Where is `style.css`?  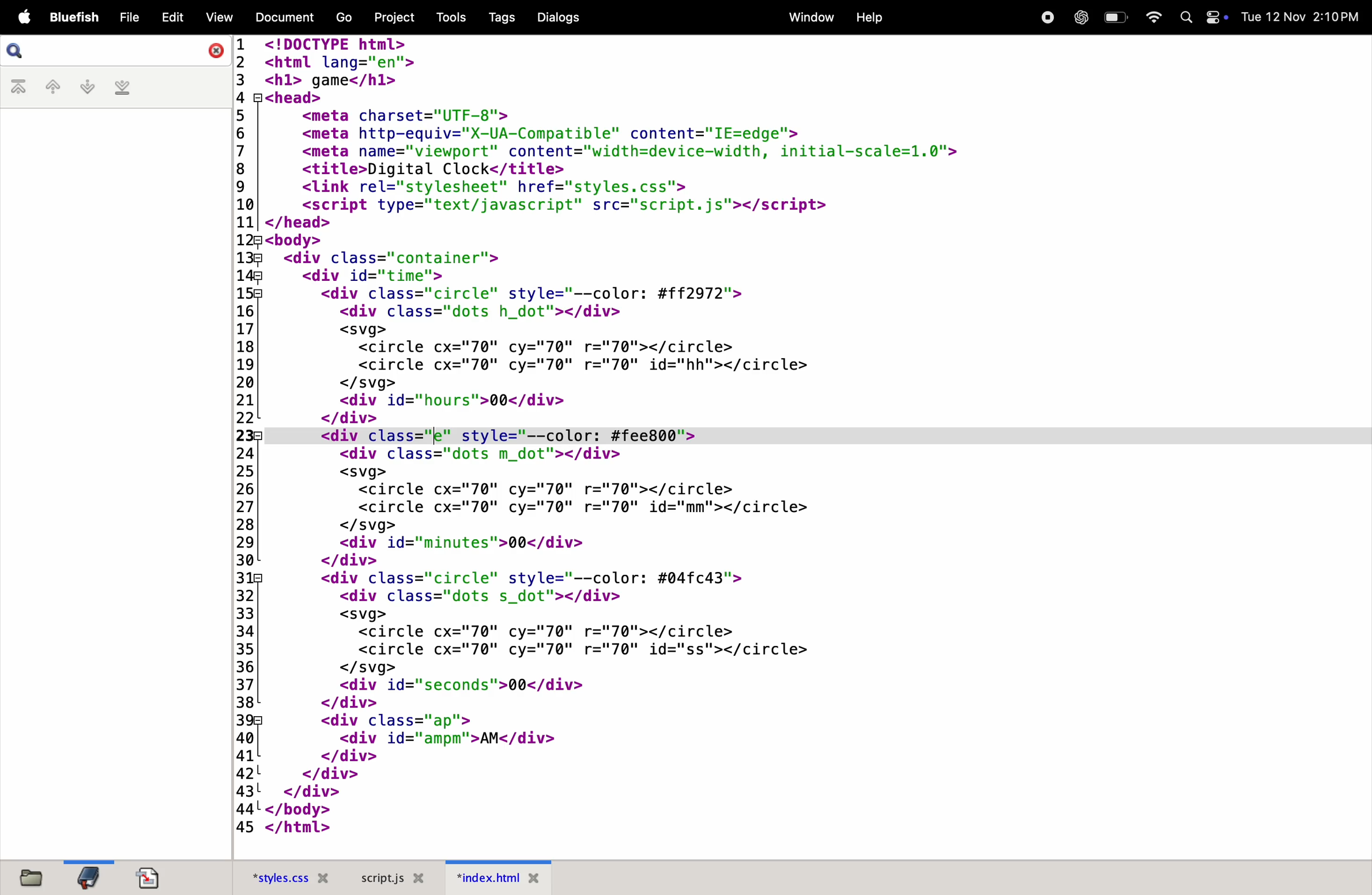
style.css is located at coordinates (292, 877).